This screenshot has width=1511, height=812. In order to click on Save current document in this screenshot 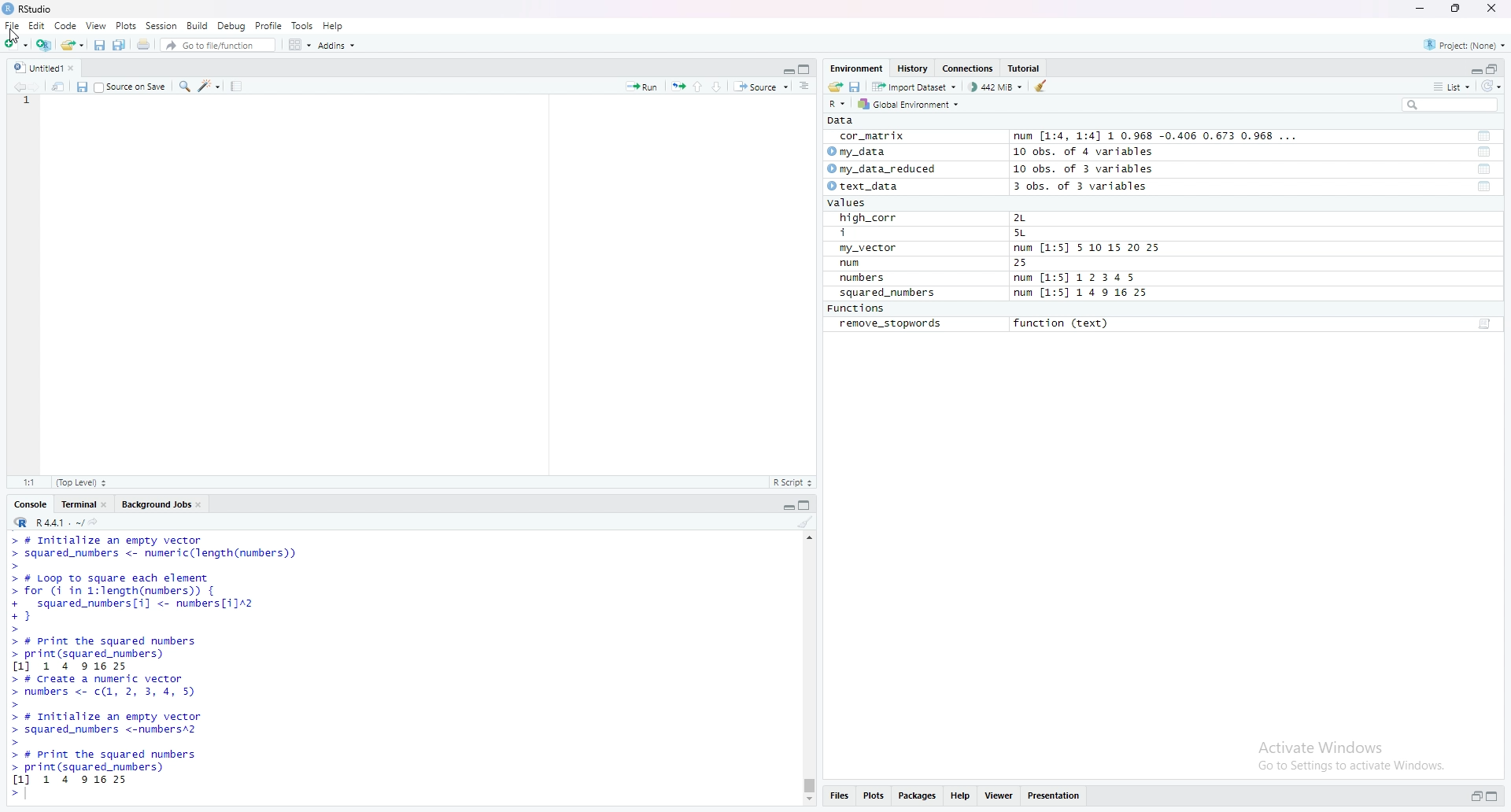, I will do `click(99, 45)`.